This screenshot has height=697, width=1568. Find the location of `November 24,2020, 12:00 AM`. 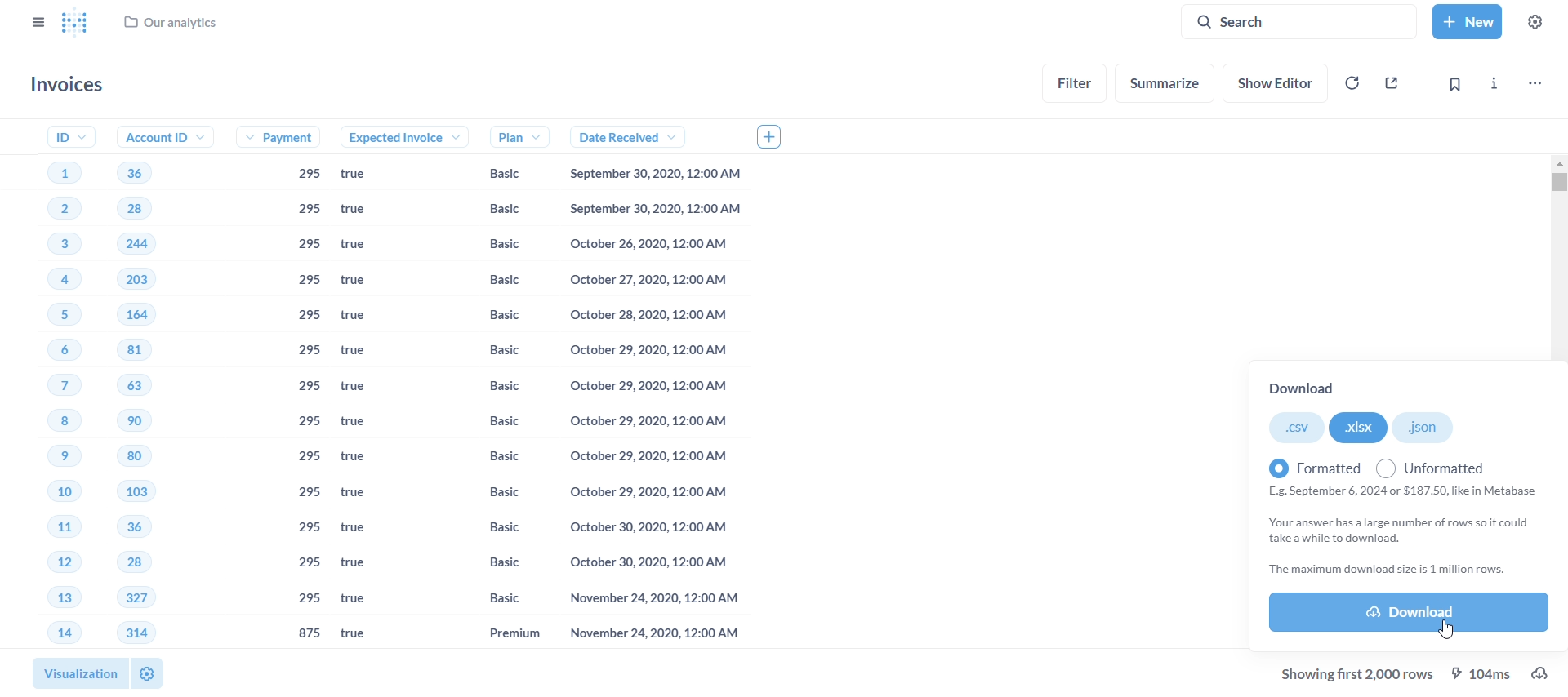

November 24,2020, 12:00 AM is located at coordinates (644, 600).